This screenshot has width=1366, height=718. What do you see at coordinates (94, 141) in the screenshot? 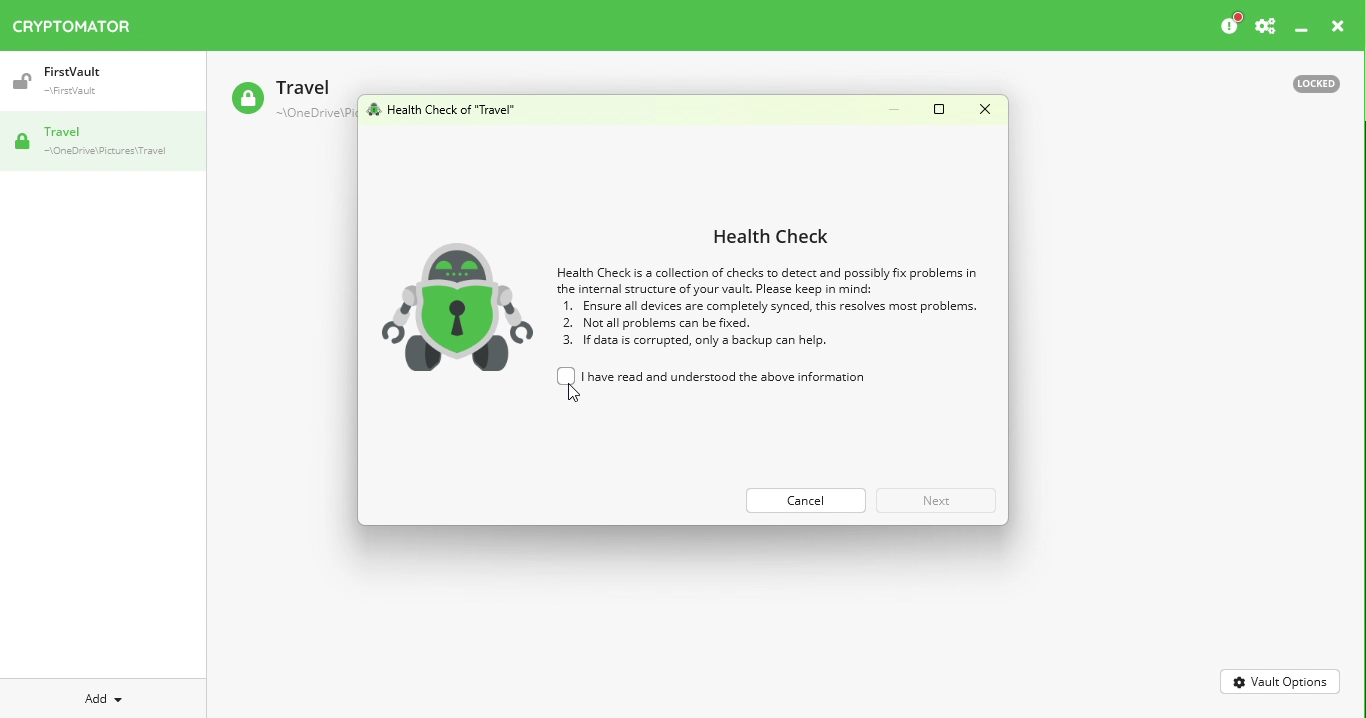
I see `Vault` at bounding box center [94, 141].